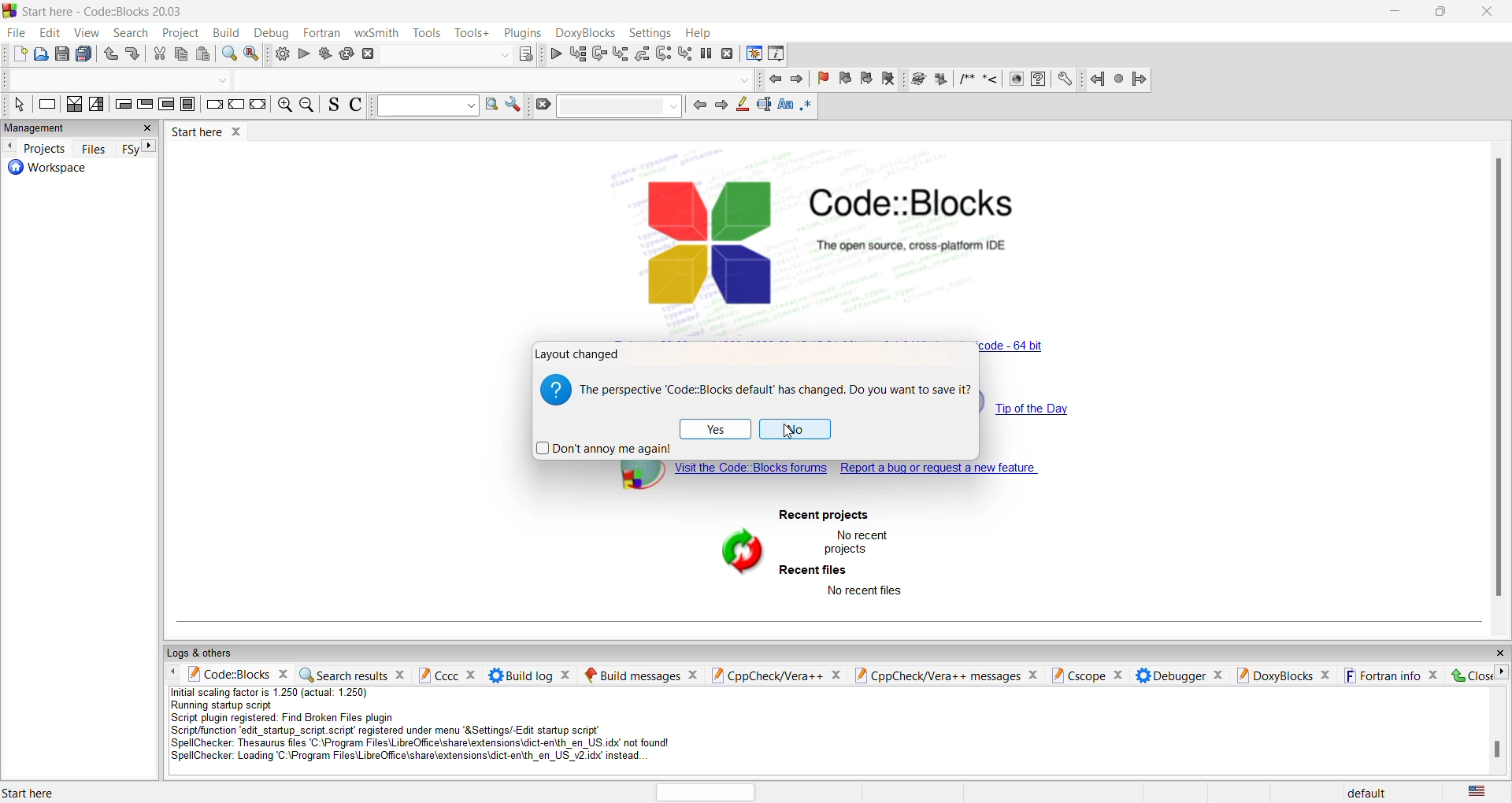  I want to click on toggle comments, so click(356, 105).